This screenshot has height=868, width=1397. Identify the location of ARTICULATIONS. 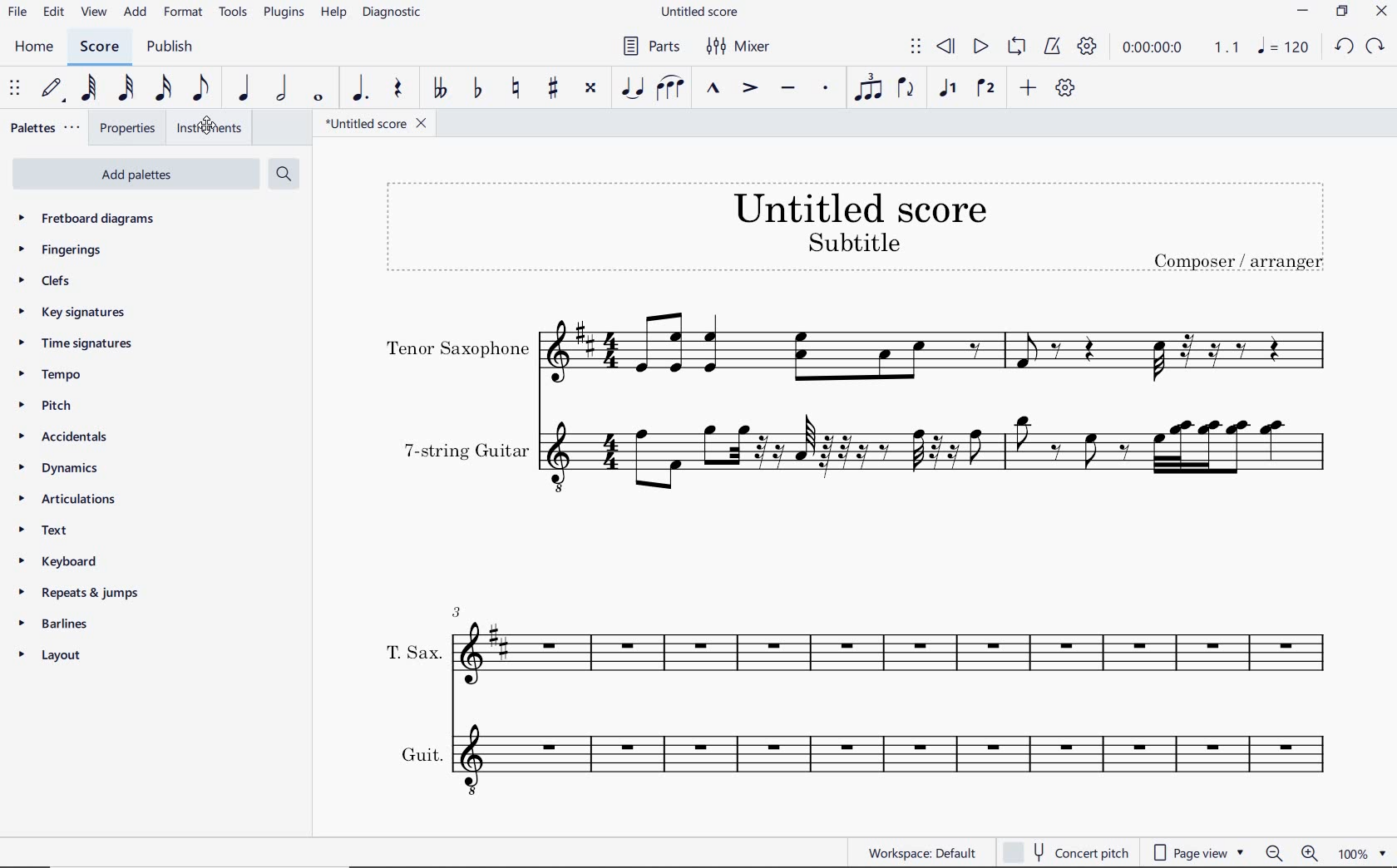
(65, 498).